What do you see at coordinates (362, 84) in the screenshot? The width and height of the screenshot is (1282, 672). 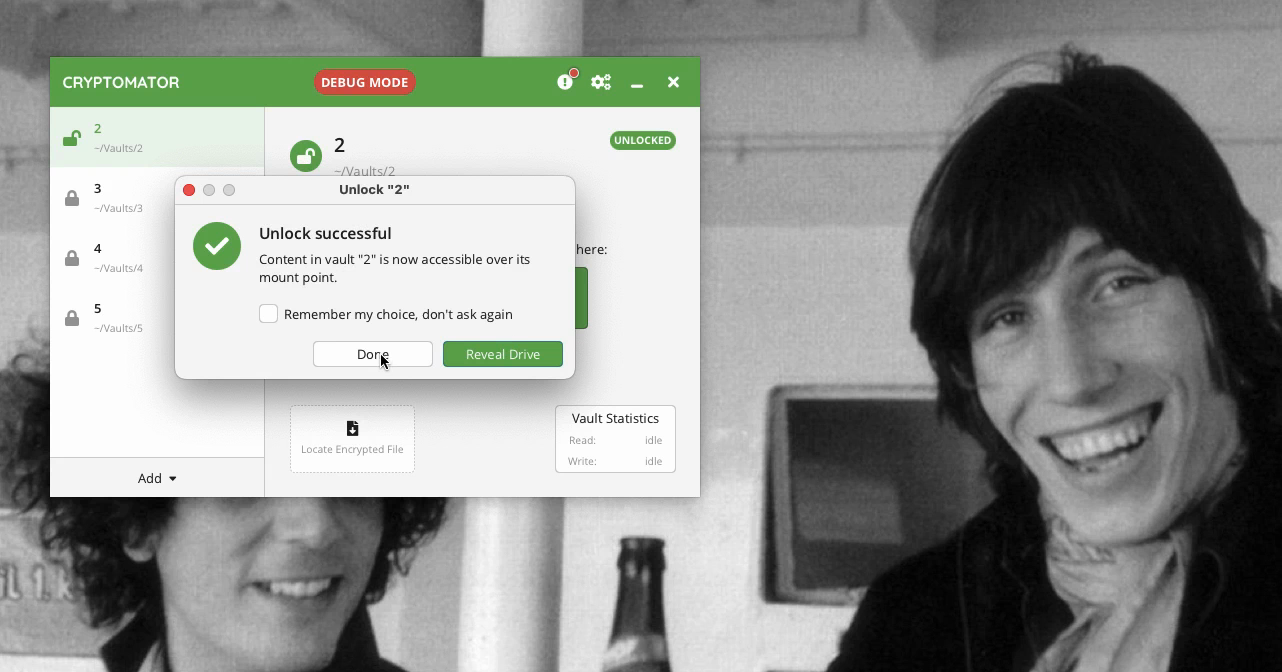 I see `Debug mode` at bounding box center [362, 84].